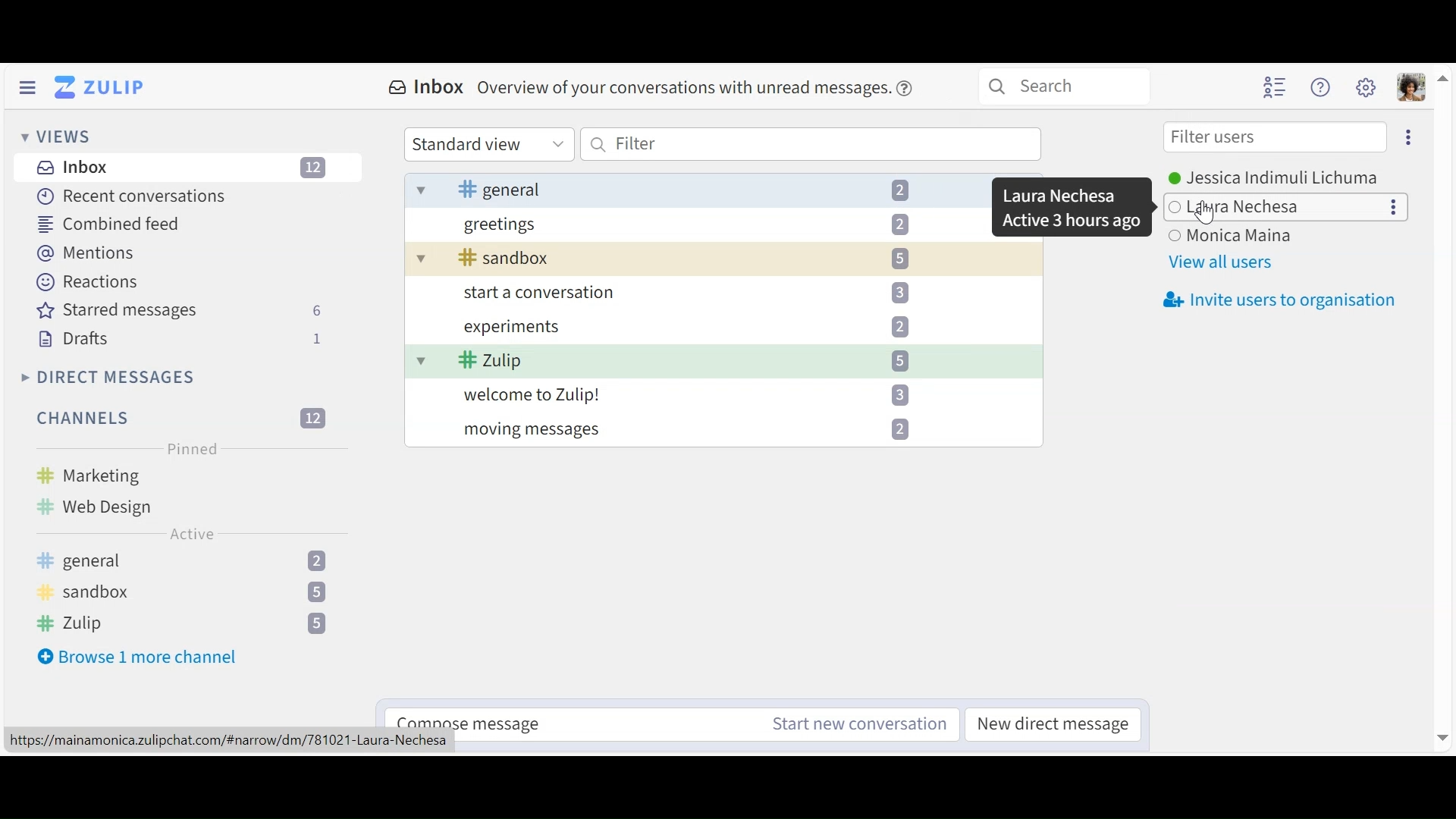 This screenshot has height=819, width=1456. What do you see at coordinates (689, 395) in the screenshot?
I see `welcome to Zulip!` at bounding box center [689, 395].